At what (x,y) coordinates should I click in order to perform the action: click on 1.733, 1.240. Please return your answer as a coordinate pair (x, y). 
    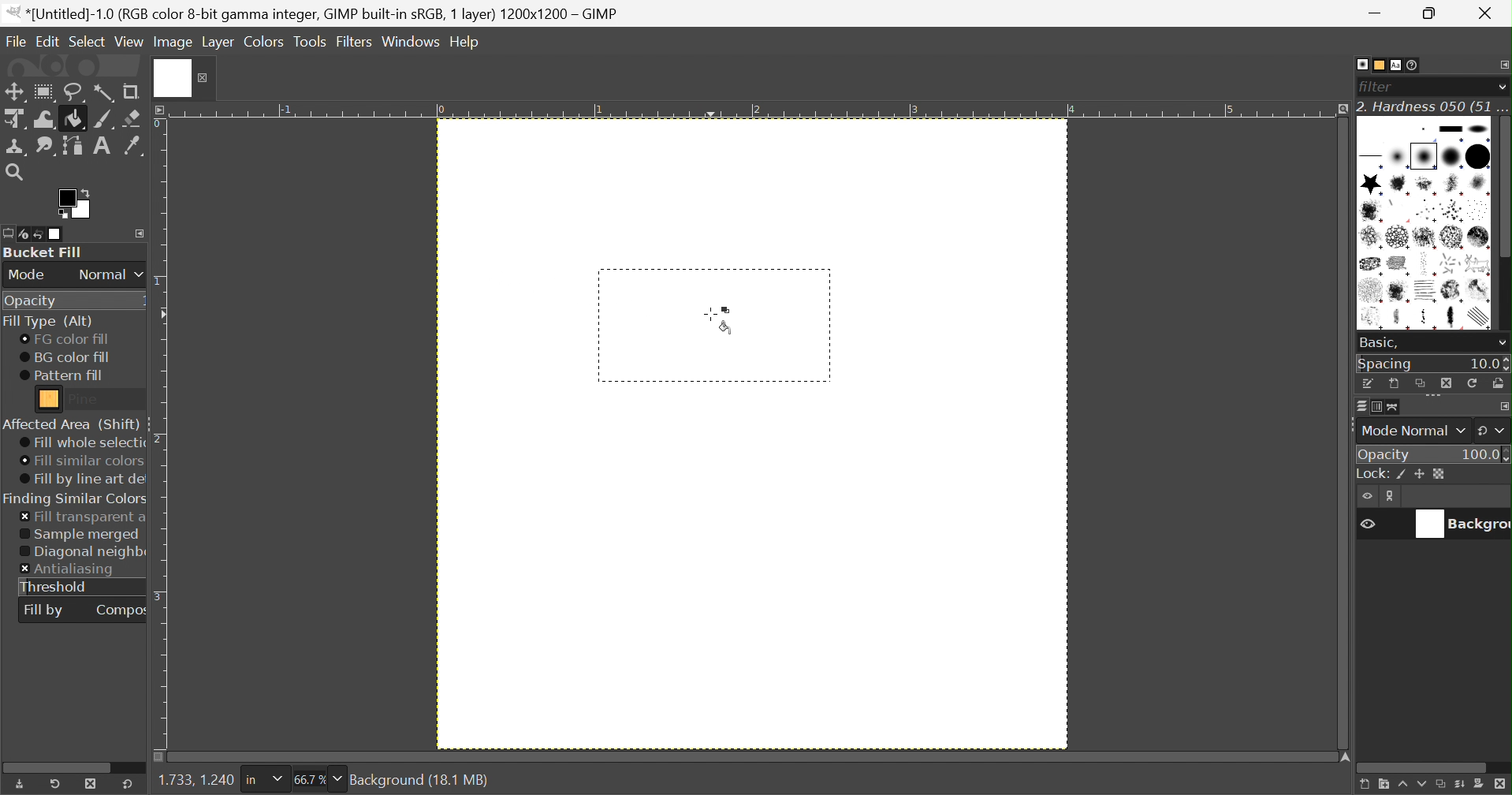
    Looking at the image, I should click on (194, 781).